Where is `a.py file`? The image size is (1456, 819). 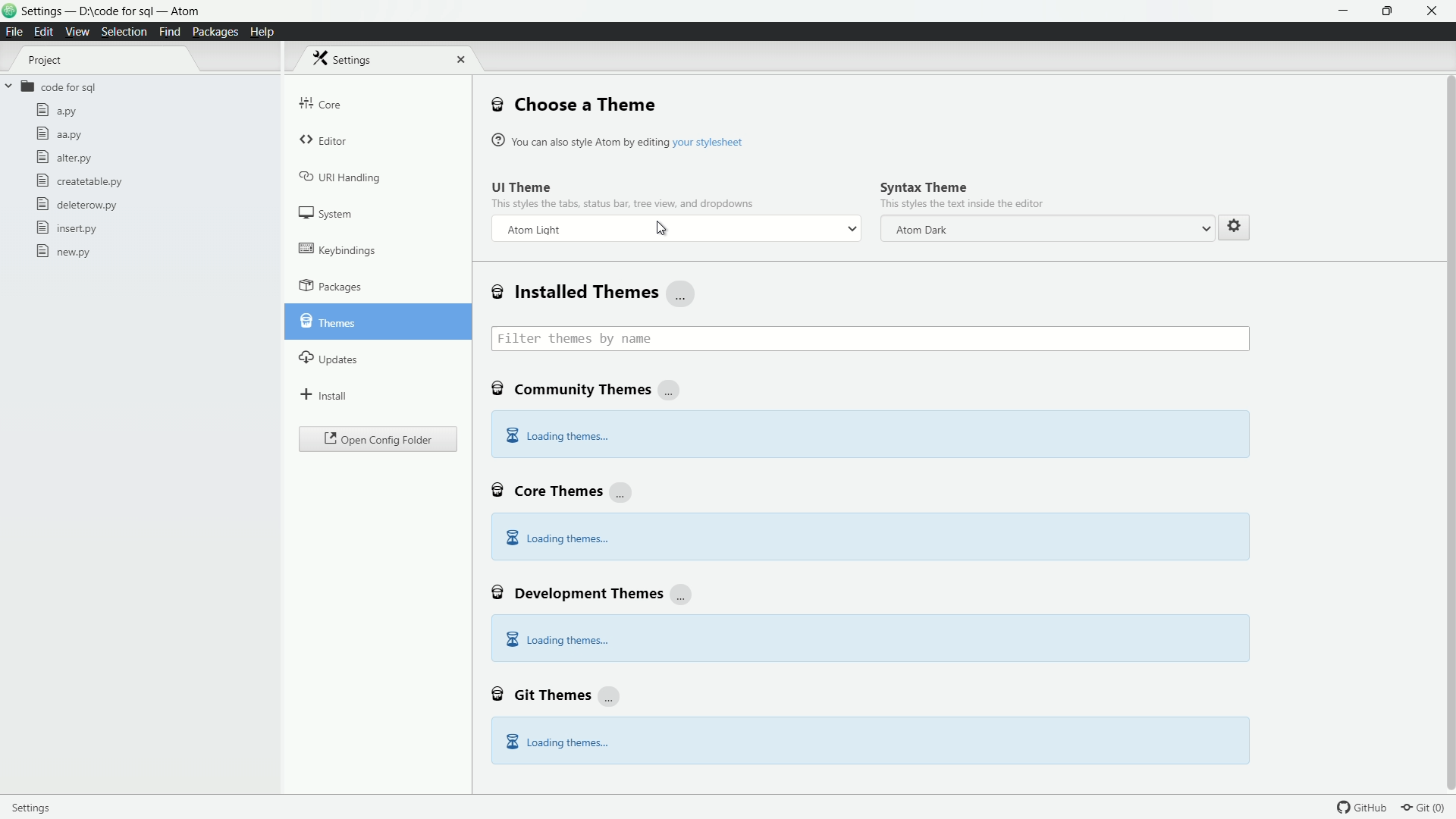
a.py file is located at coordinates (57, 110).